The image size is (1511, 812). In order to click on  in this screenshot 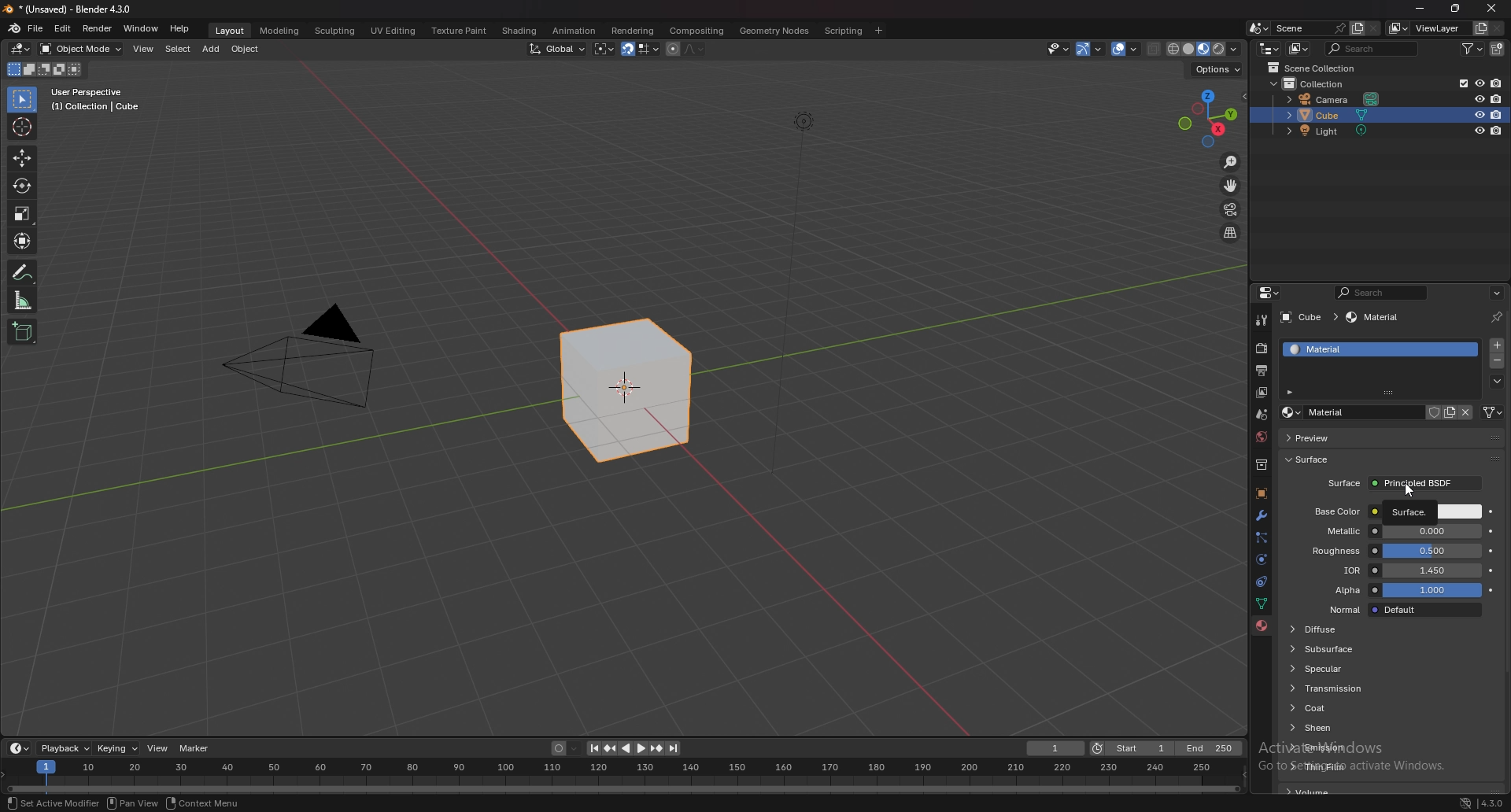, I will do `click(302, 362)`.